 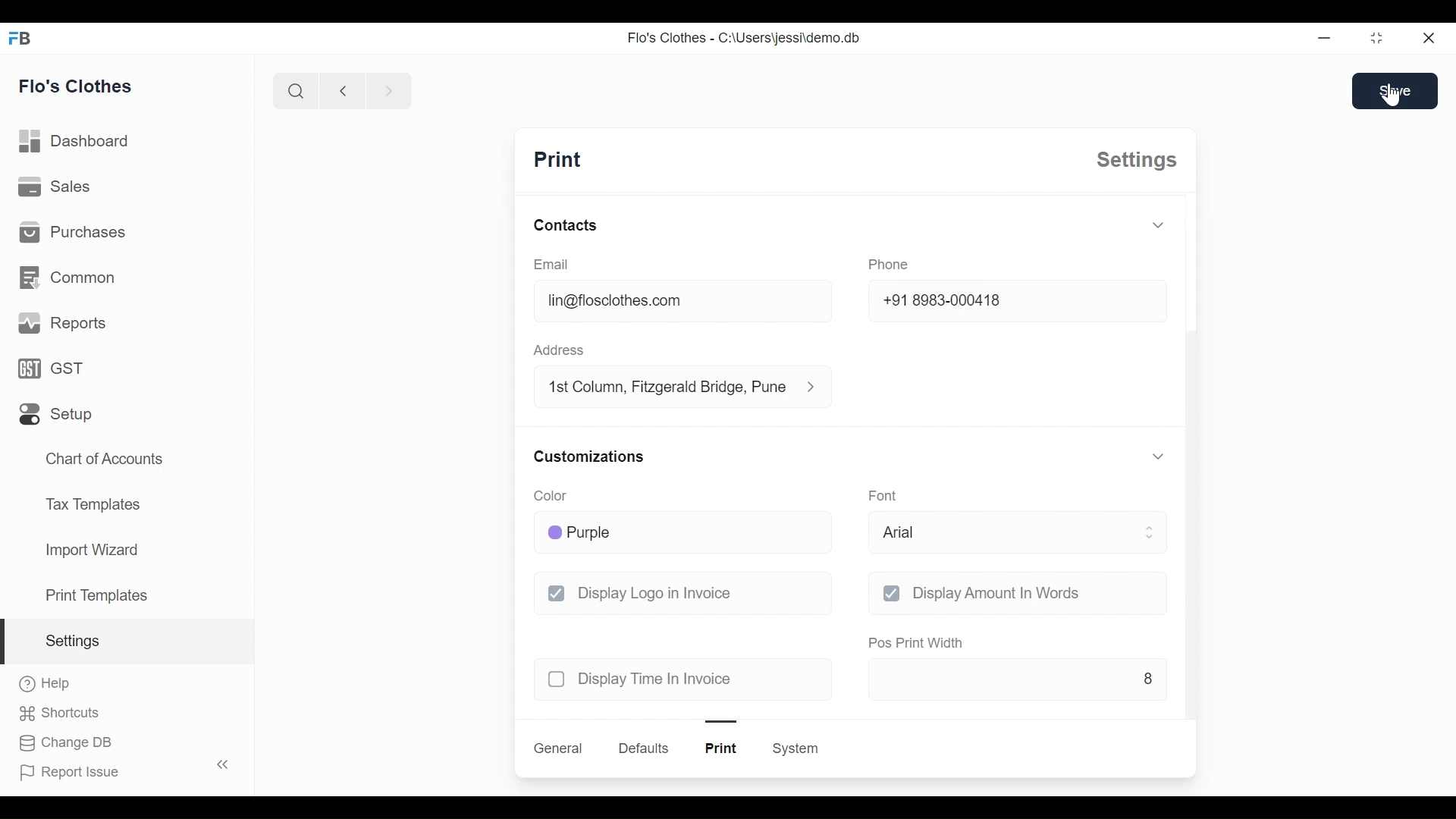 What do you see at coordinates (90, 503) in the screenshot?
I see `tax templates` at bounding box center [90, 503].